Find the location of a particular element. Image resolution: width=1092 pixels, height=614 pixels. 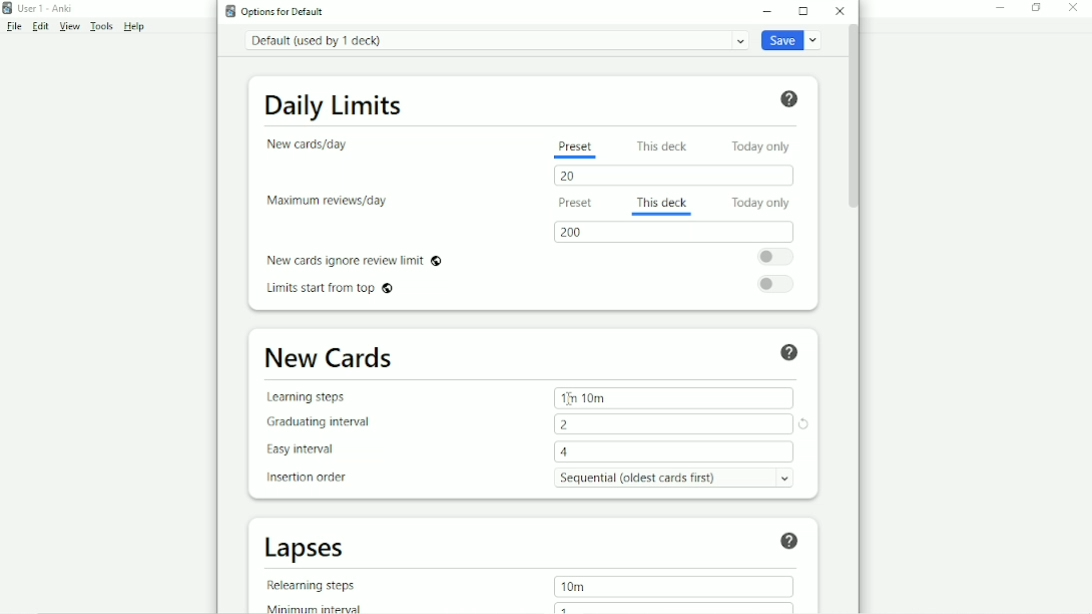

200 is located at coordinates (575, 232).